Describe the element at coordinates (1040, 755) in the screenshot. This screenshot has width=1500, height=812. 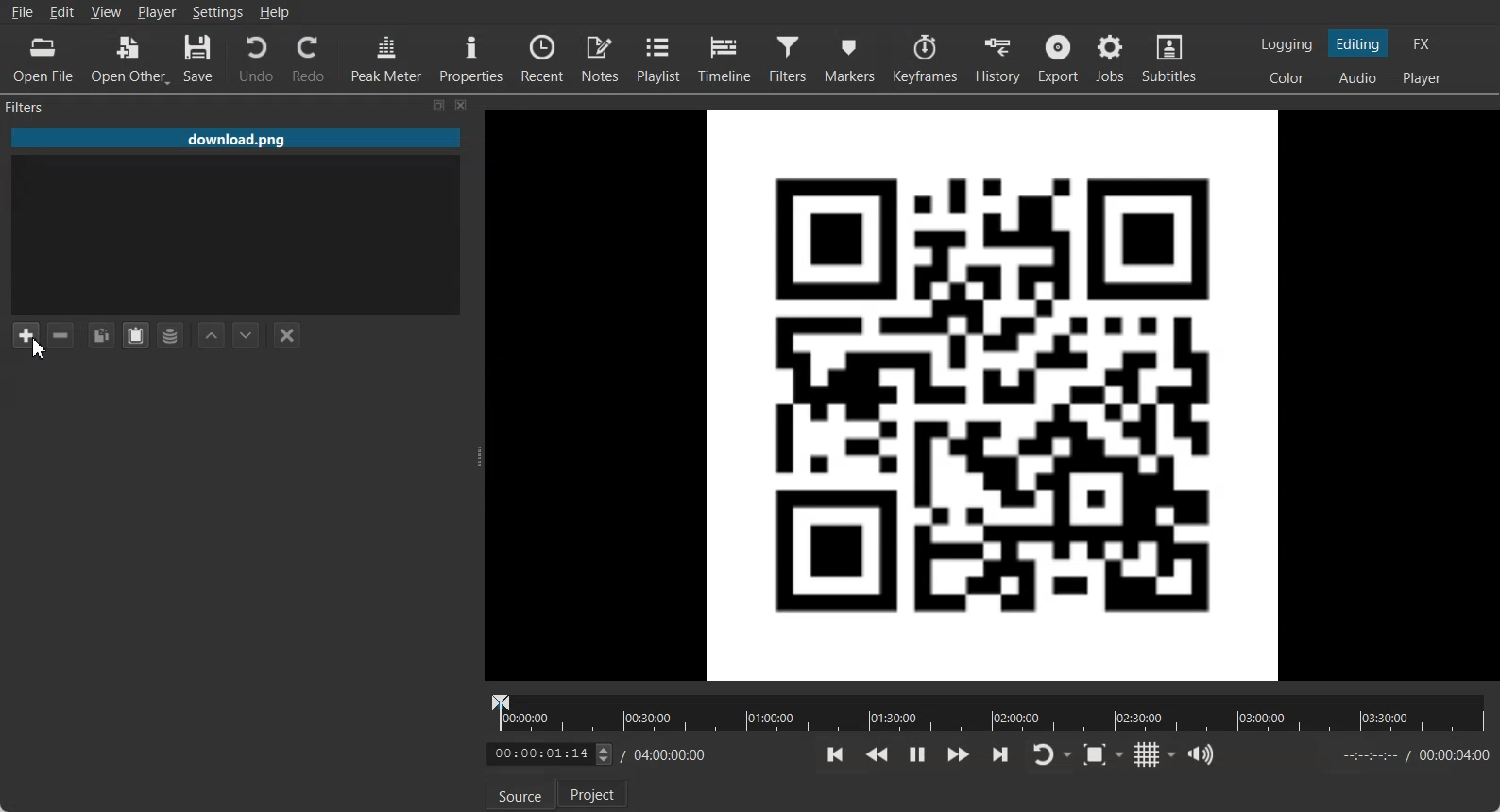
I see `Toggle player lopping` at that location.